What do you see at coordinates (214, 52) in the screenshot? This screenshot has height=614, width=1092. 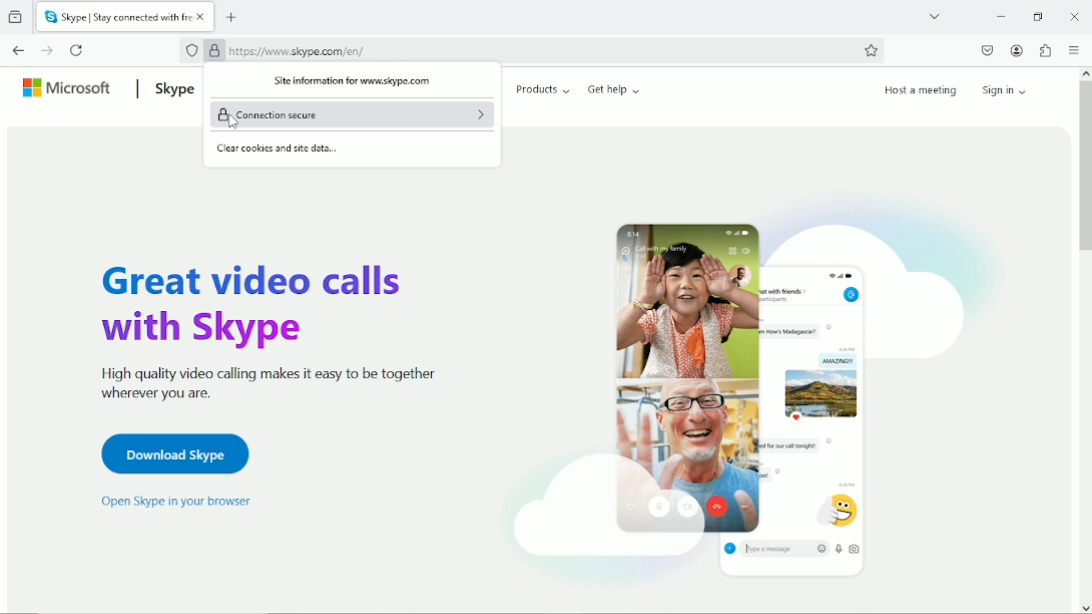 I see `Verified by Microsoft Corporation` at bounding box center [214, 52].